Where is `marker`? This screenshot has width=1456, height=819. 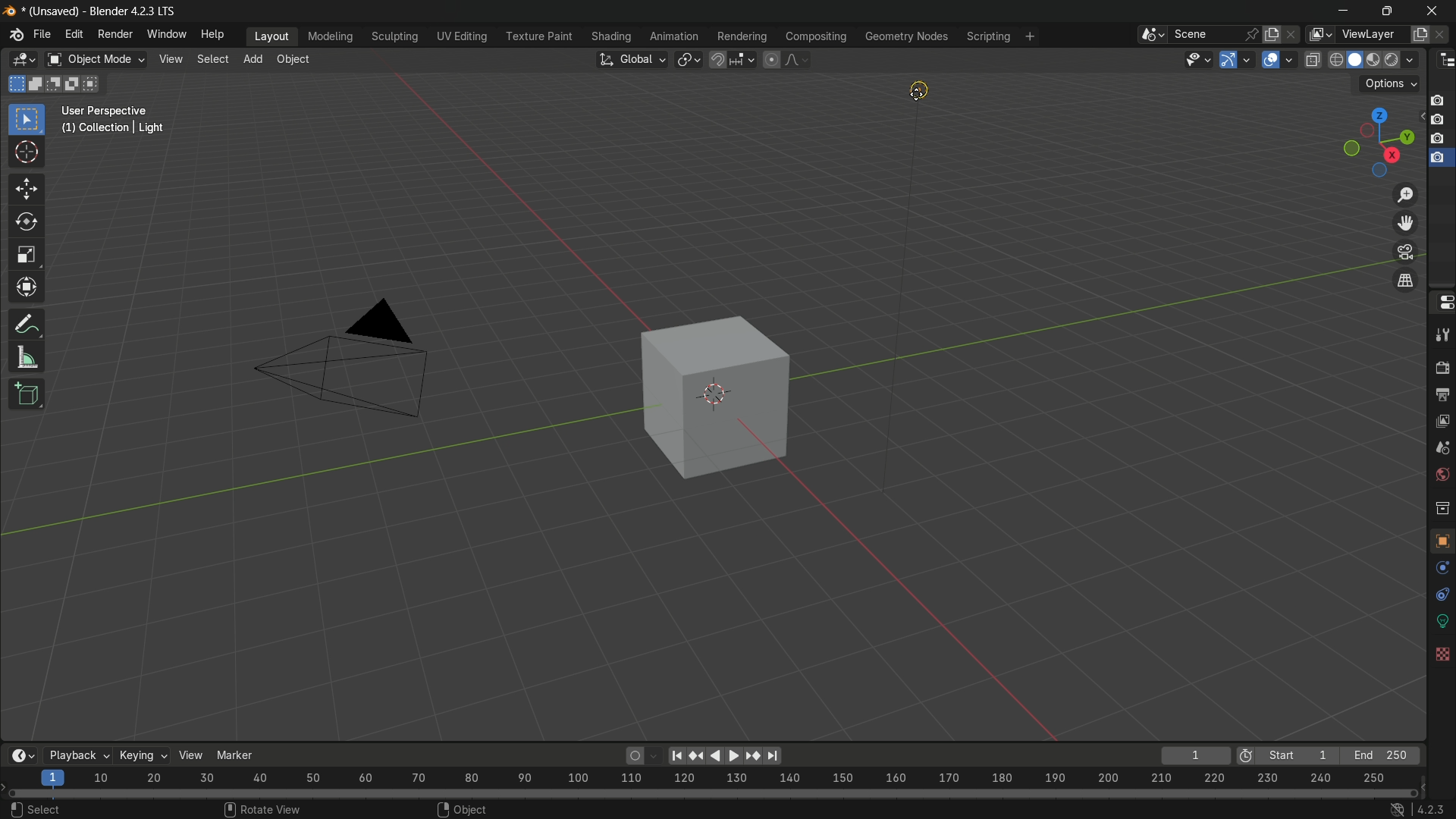 marker is located at coordinates (235, 755).